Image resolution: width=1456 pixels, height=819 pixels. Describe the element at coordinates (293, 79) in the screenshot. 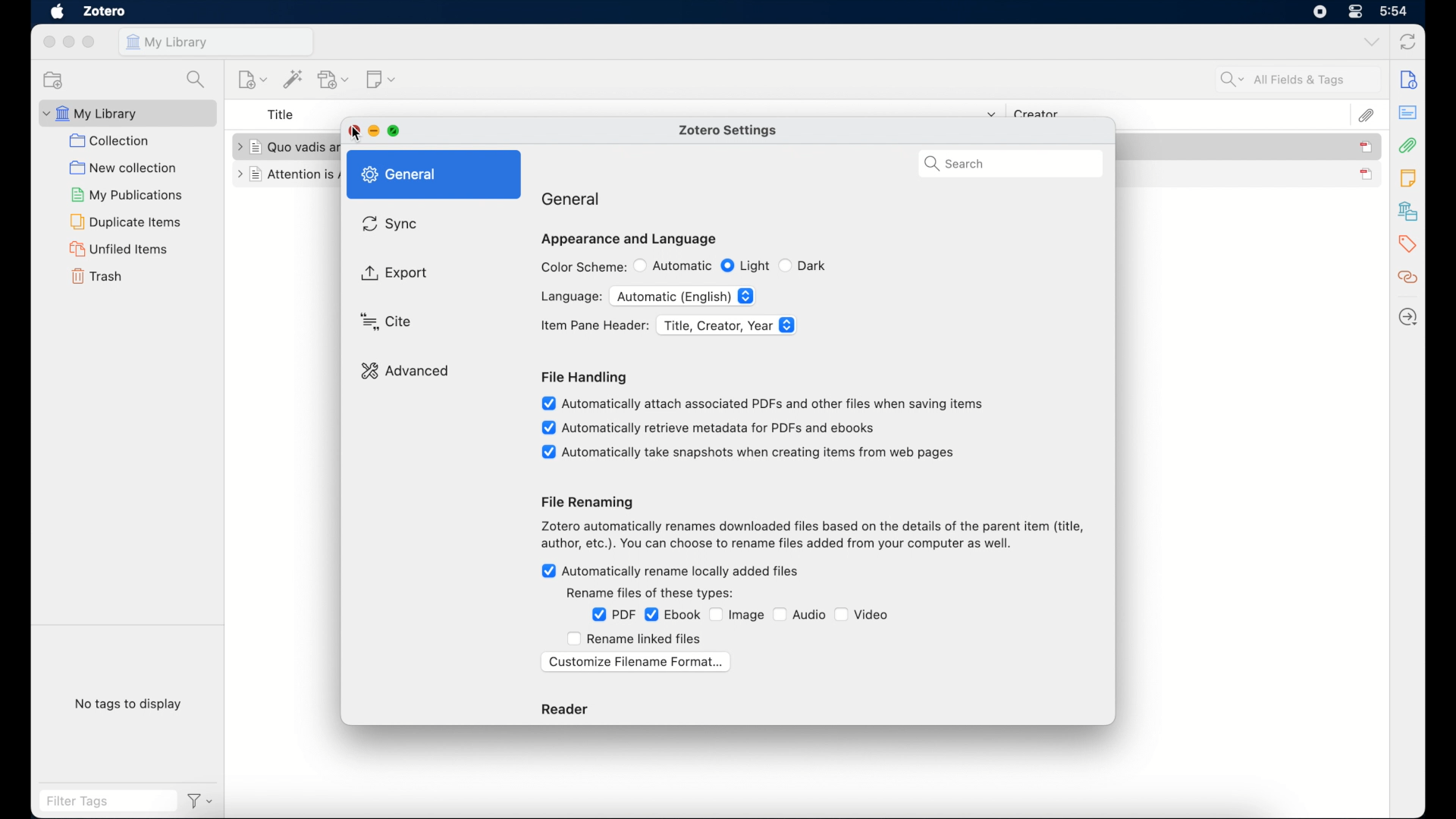

I see `add items by identifier` at that location.